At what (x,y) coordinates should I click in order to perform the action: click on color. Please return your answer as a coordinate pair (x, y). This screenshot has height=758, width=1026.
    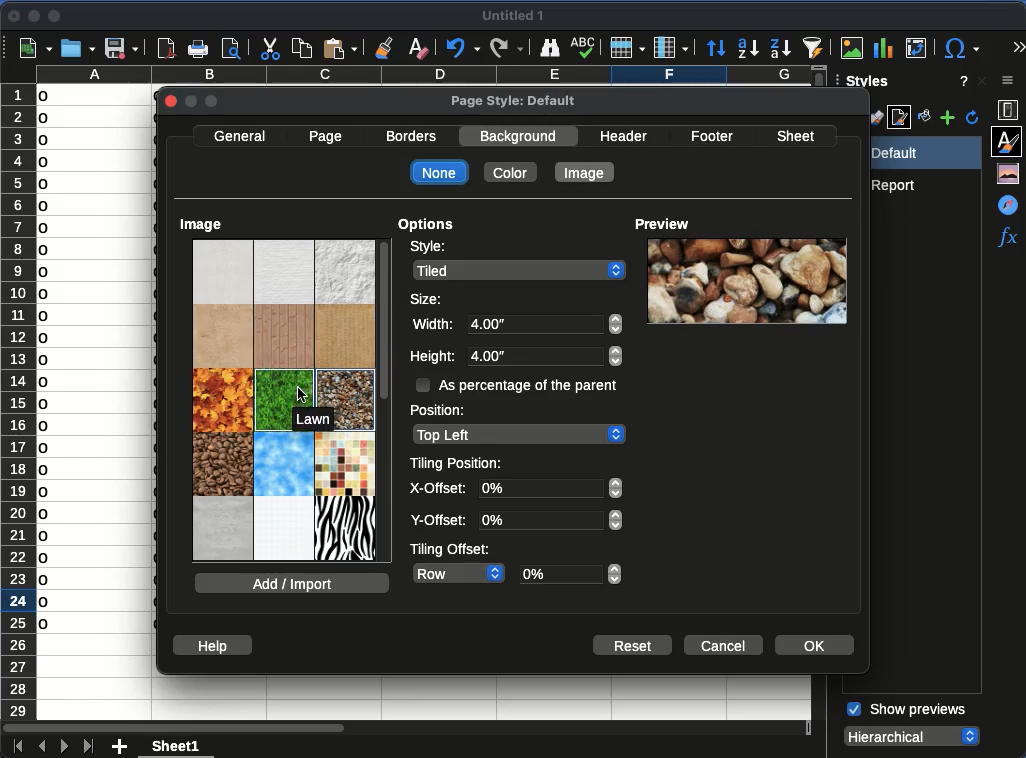
    Looking at the image, I should click on (511, 172).